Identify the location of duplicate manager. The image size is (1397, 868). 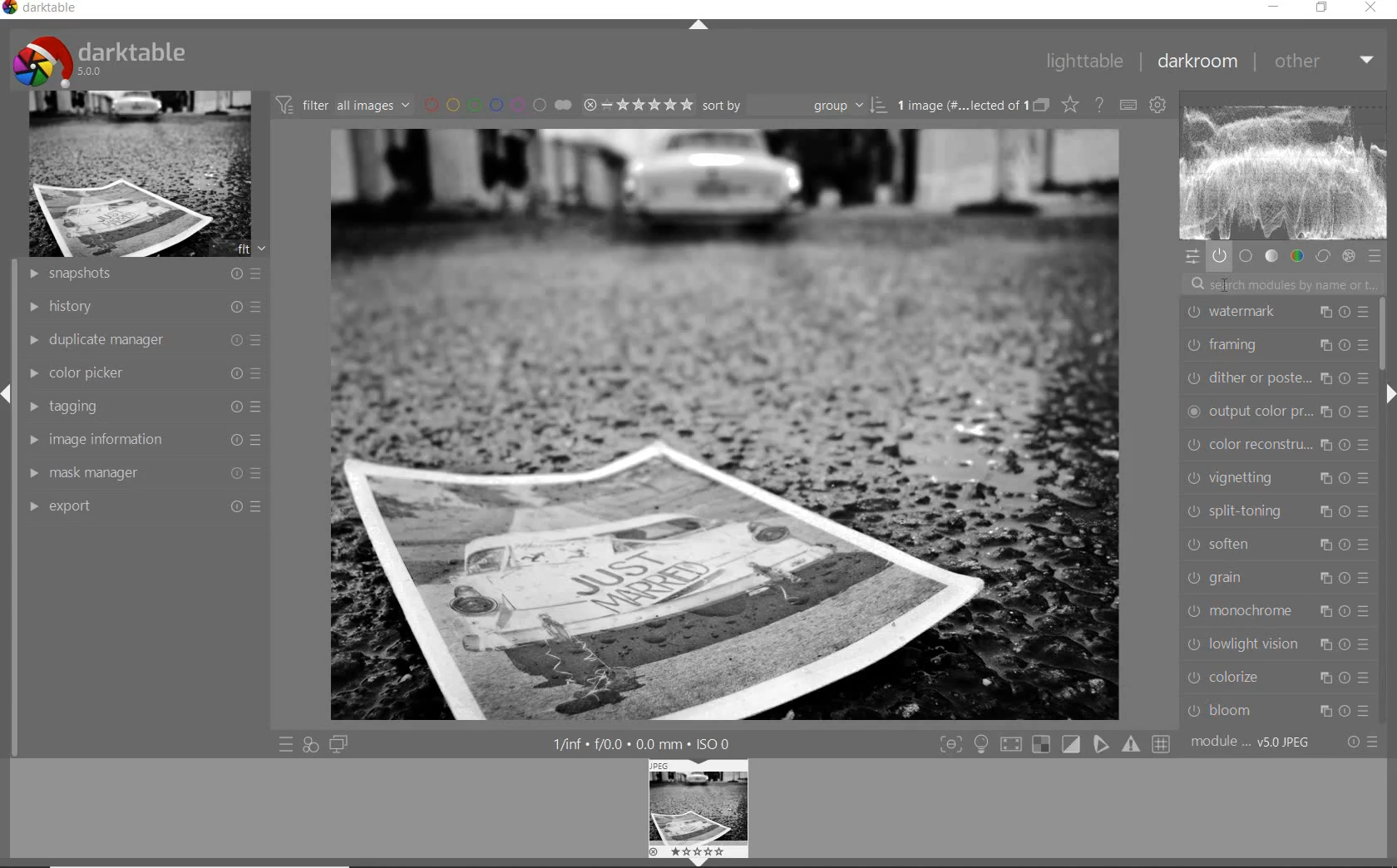
(142, 341).